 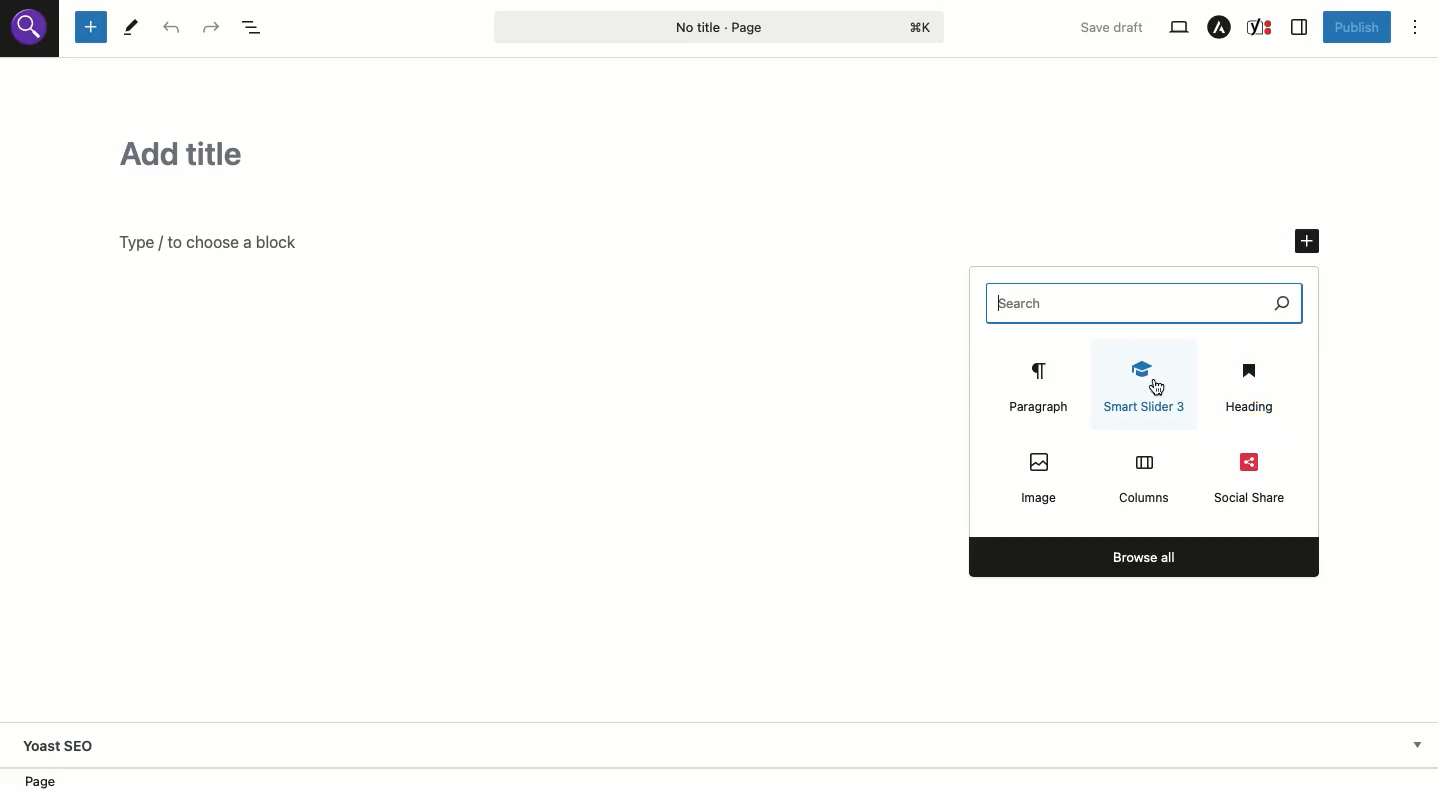 I want to click on Save draft, so click(x=1113, y=27).